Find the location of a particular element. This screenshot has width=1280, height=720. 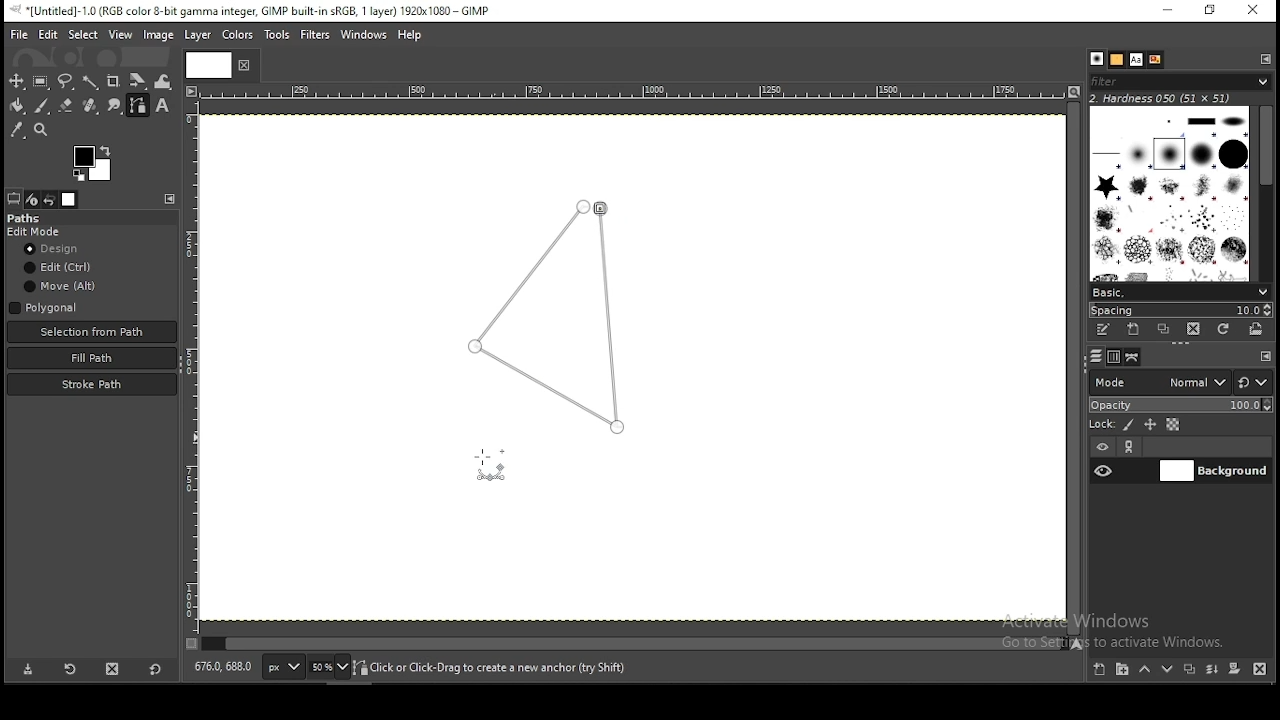

device status is located at coordinates (32, 199).